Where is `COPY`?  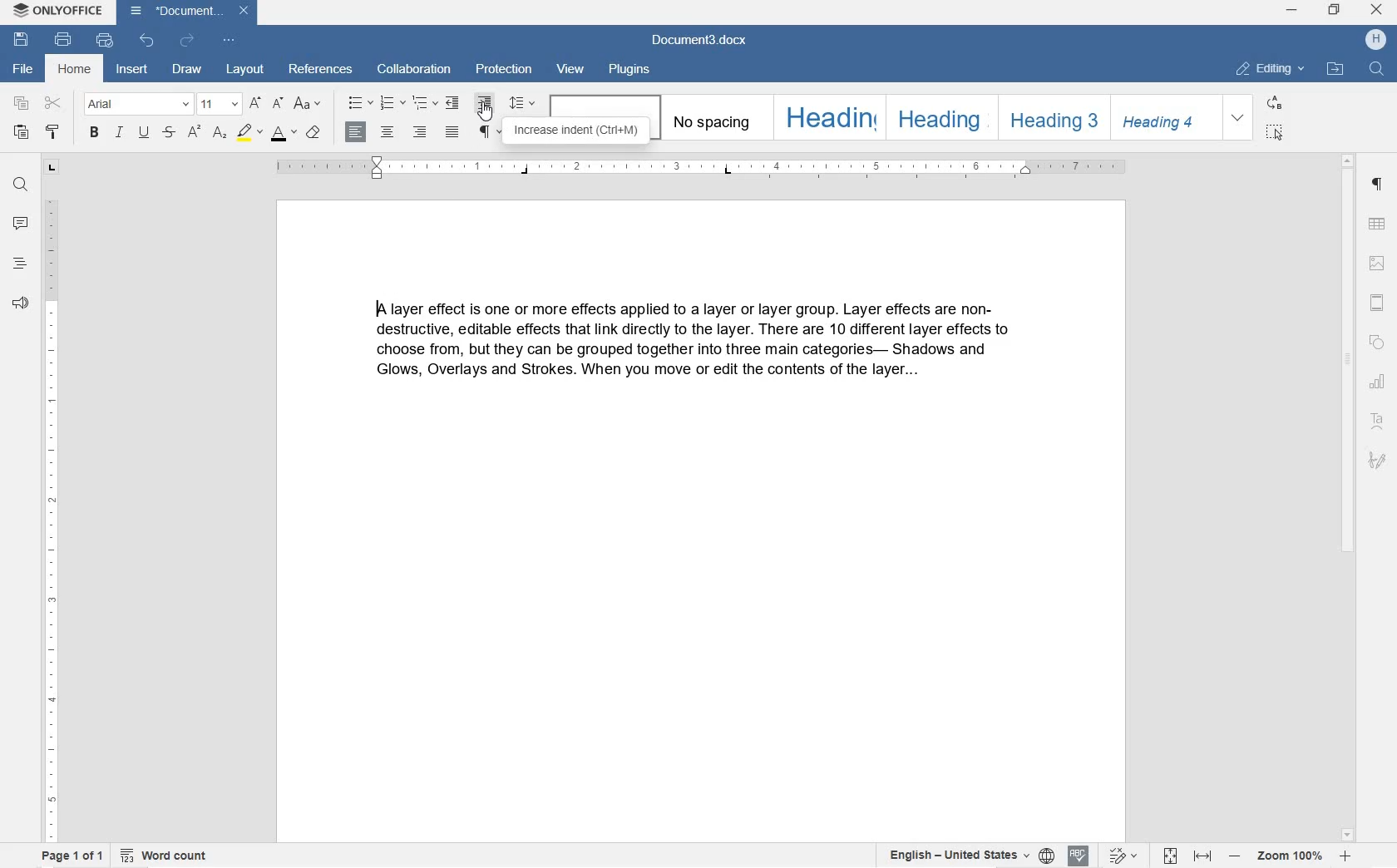
COPY is located at coordinates (22, 104).